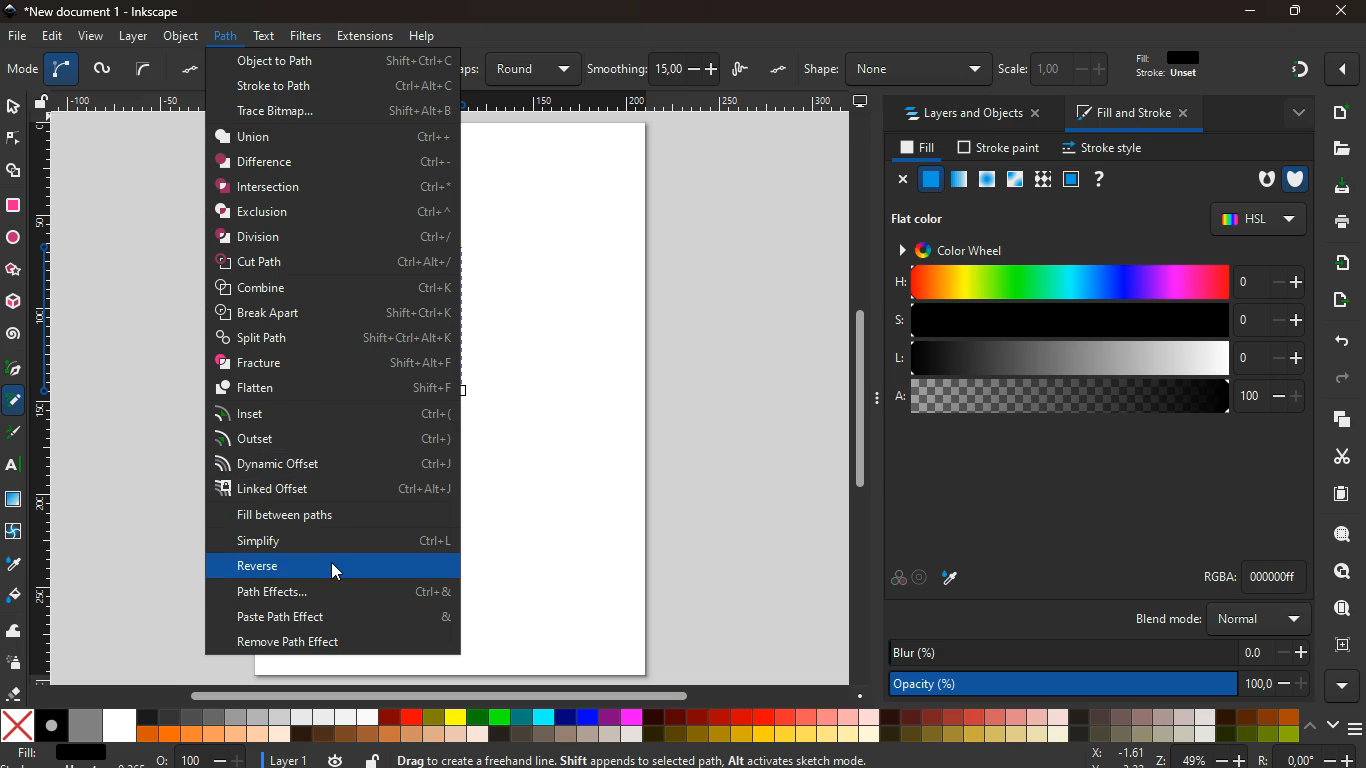 This screenshot has width=1366, height=768. What do you see at coordinates (15, 596) in the screenshot?
I see `paint` at bounding box center [15, 596].